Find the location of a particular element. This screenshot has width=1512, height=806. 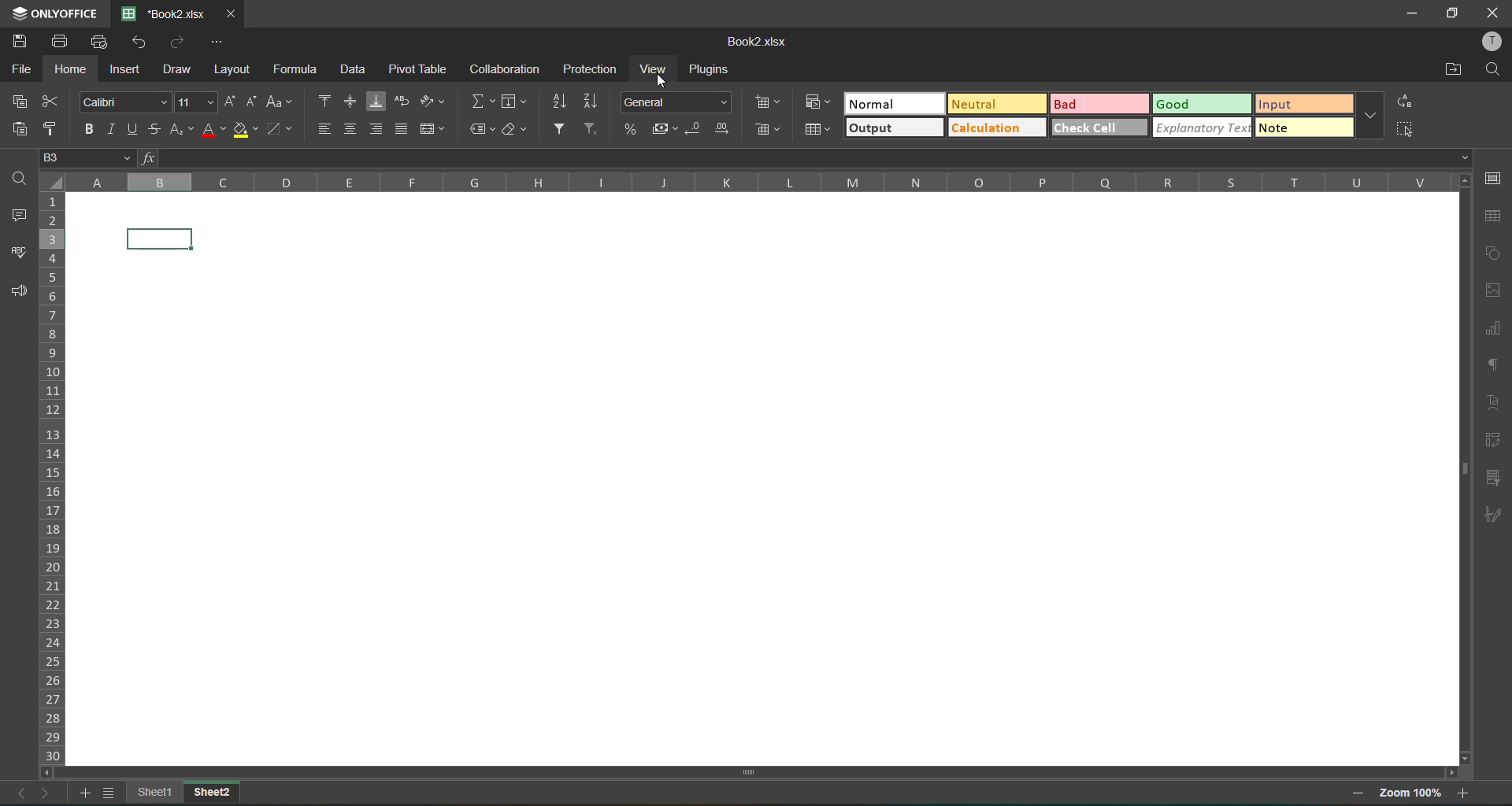

format as table is located at coordinates (819, 128).